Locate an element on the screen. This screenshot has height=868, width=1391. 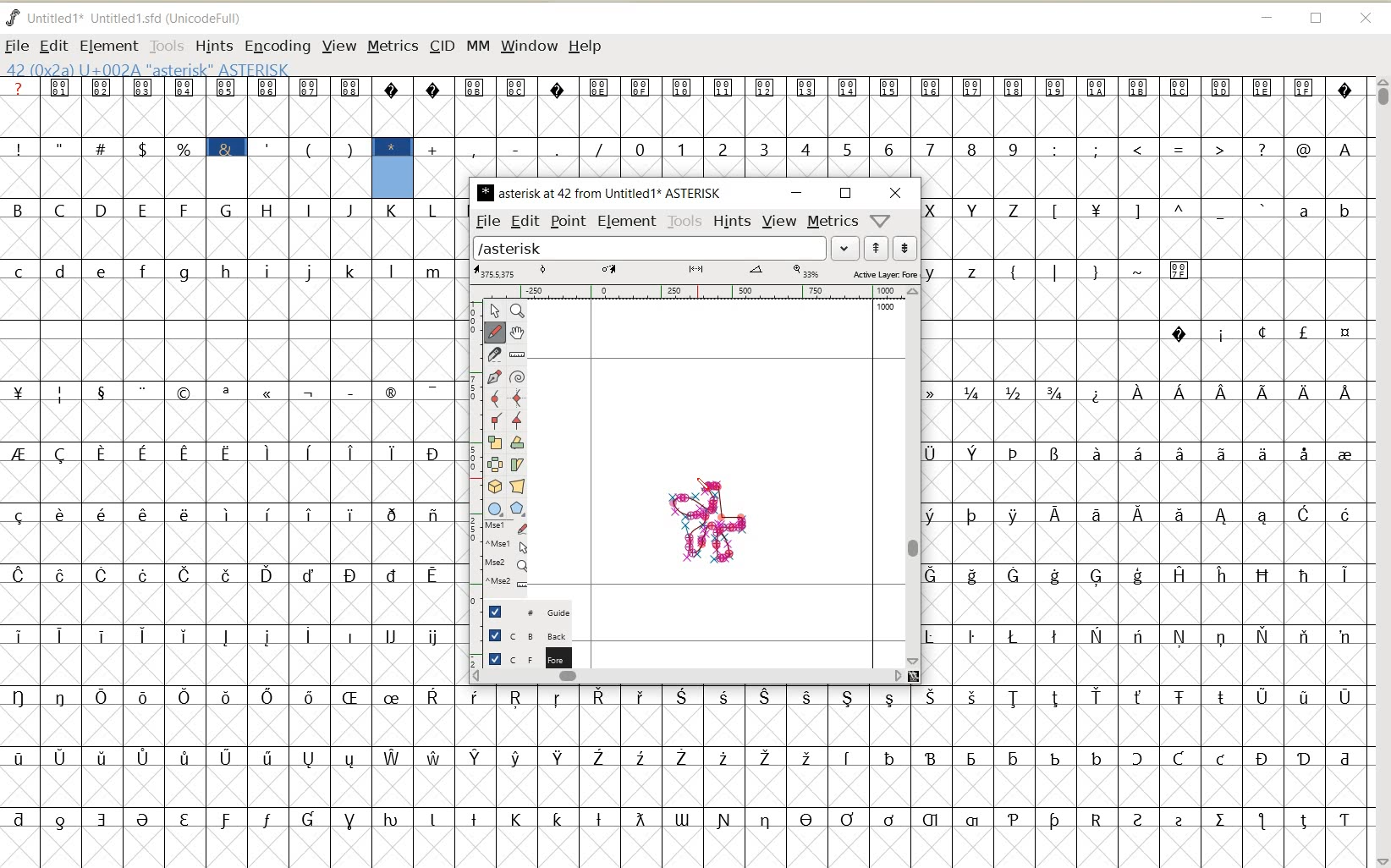
FONT NAME is located at coordinates (131, 19).